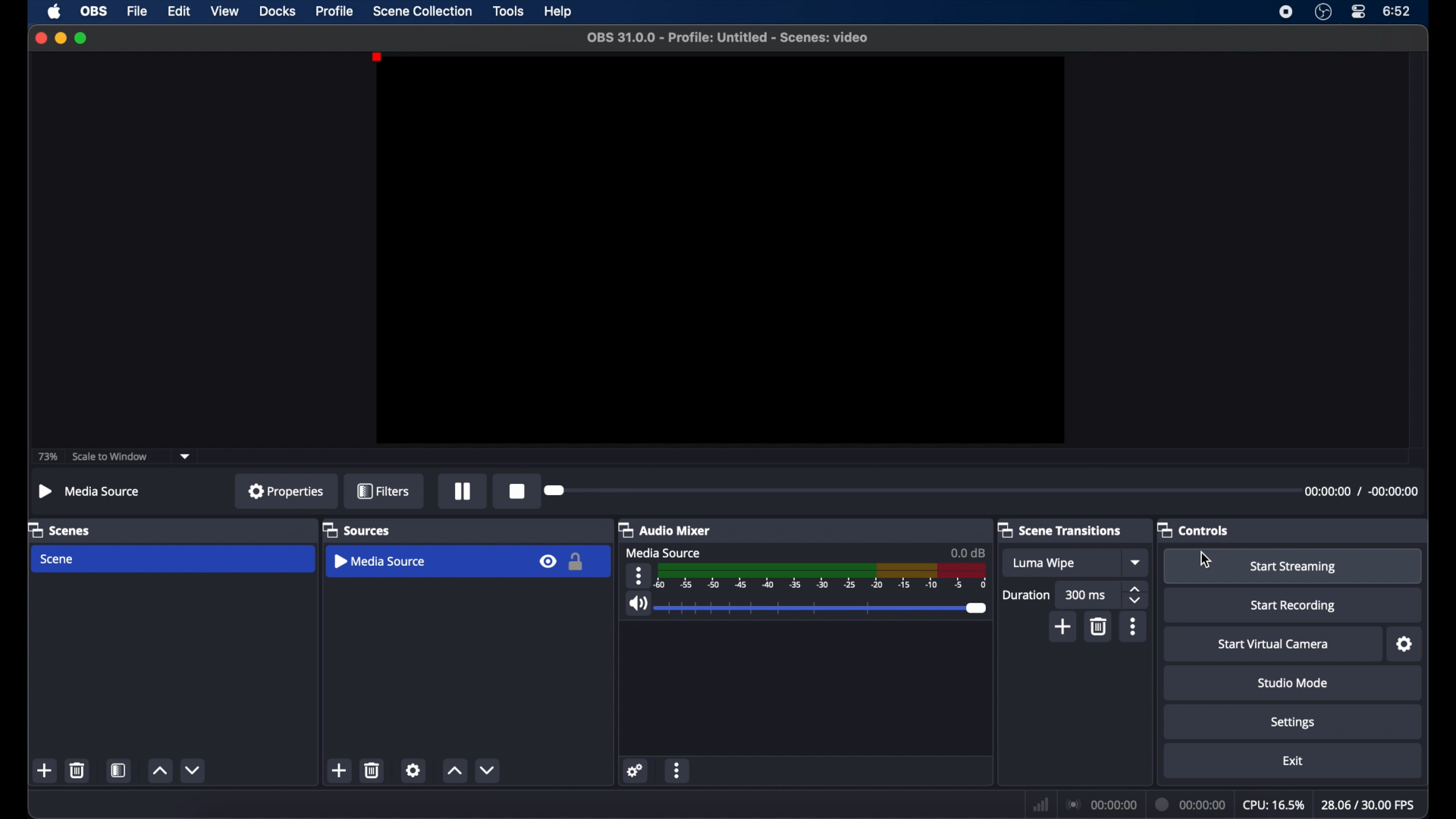 The width and height of the screenshot is (1456, 819). Describe the element at coordinates (1286, 12) in the screenshot. I see `screen recorder icon` at that location.